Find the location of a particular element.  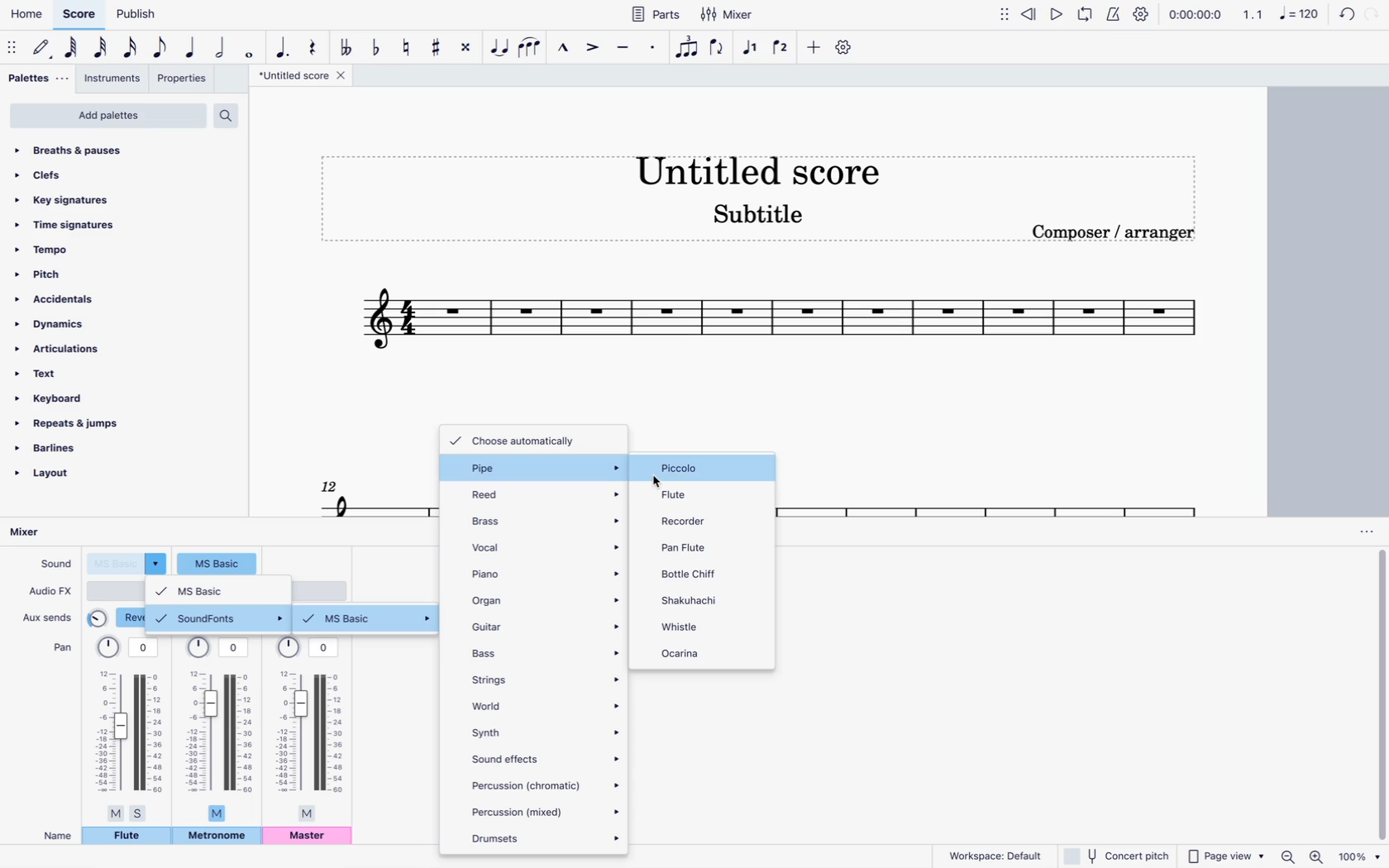

marcato is located at coordinates (561, 46).